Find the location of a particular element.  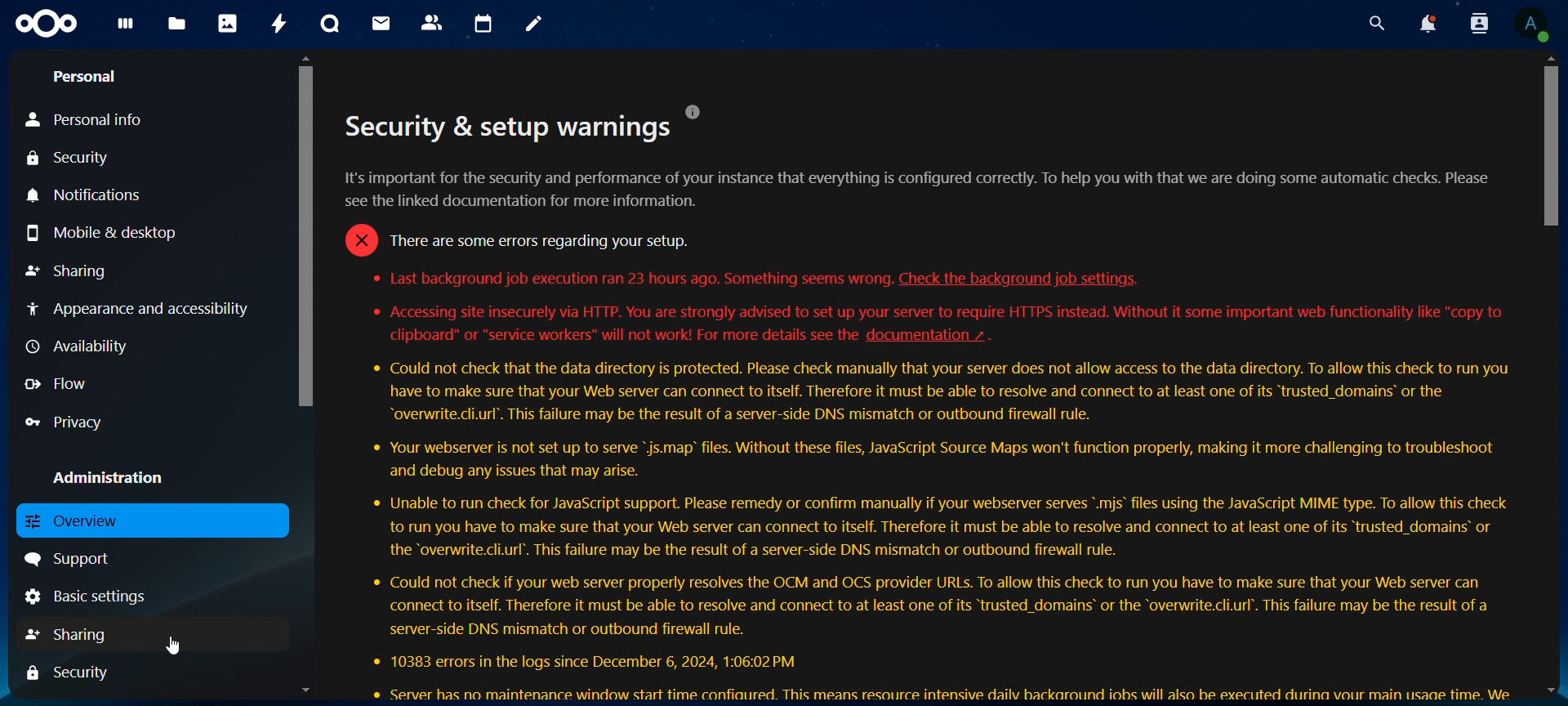

support is located at coordinates (75, 559).